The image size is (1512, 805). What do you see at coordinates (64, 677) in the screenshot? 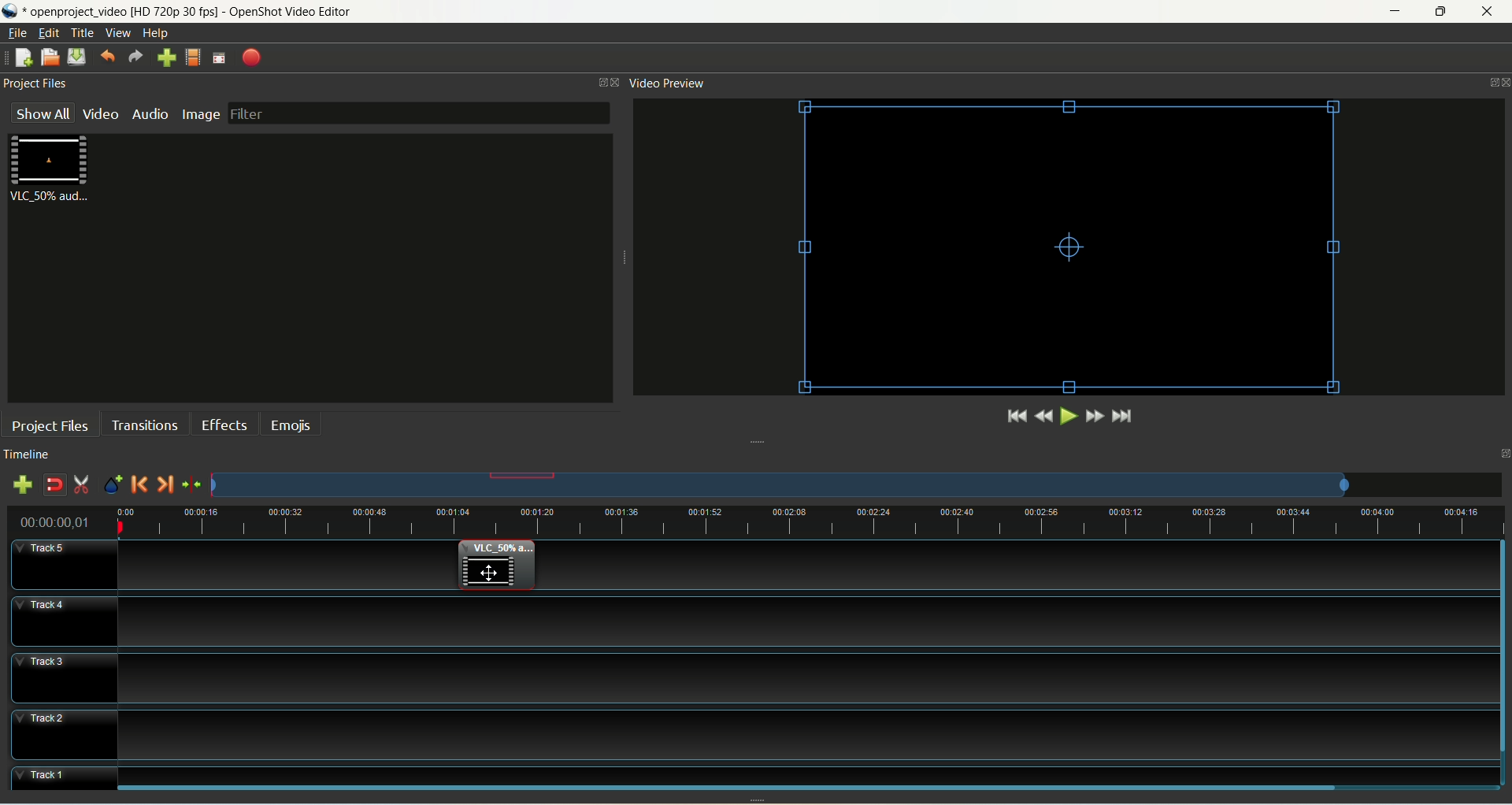
I see `track3` at bounding box center [64, 677].